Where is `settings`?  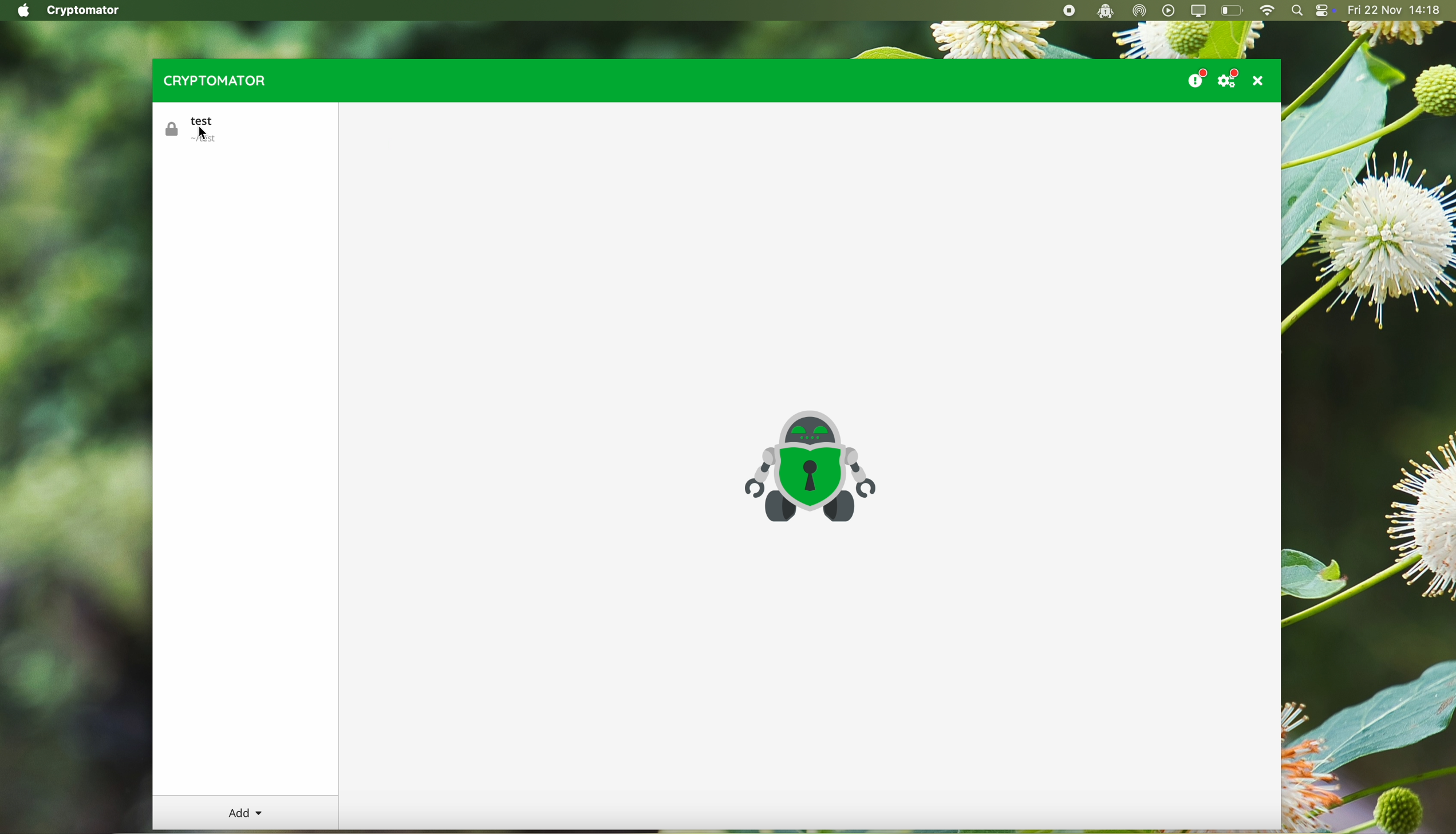 settings is located at coordinates (1231, 78).